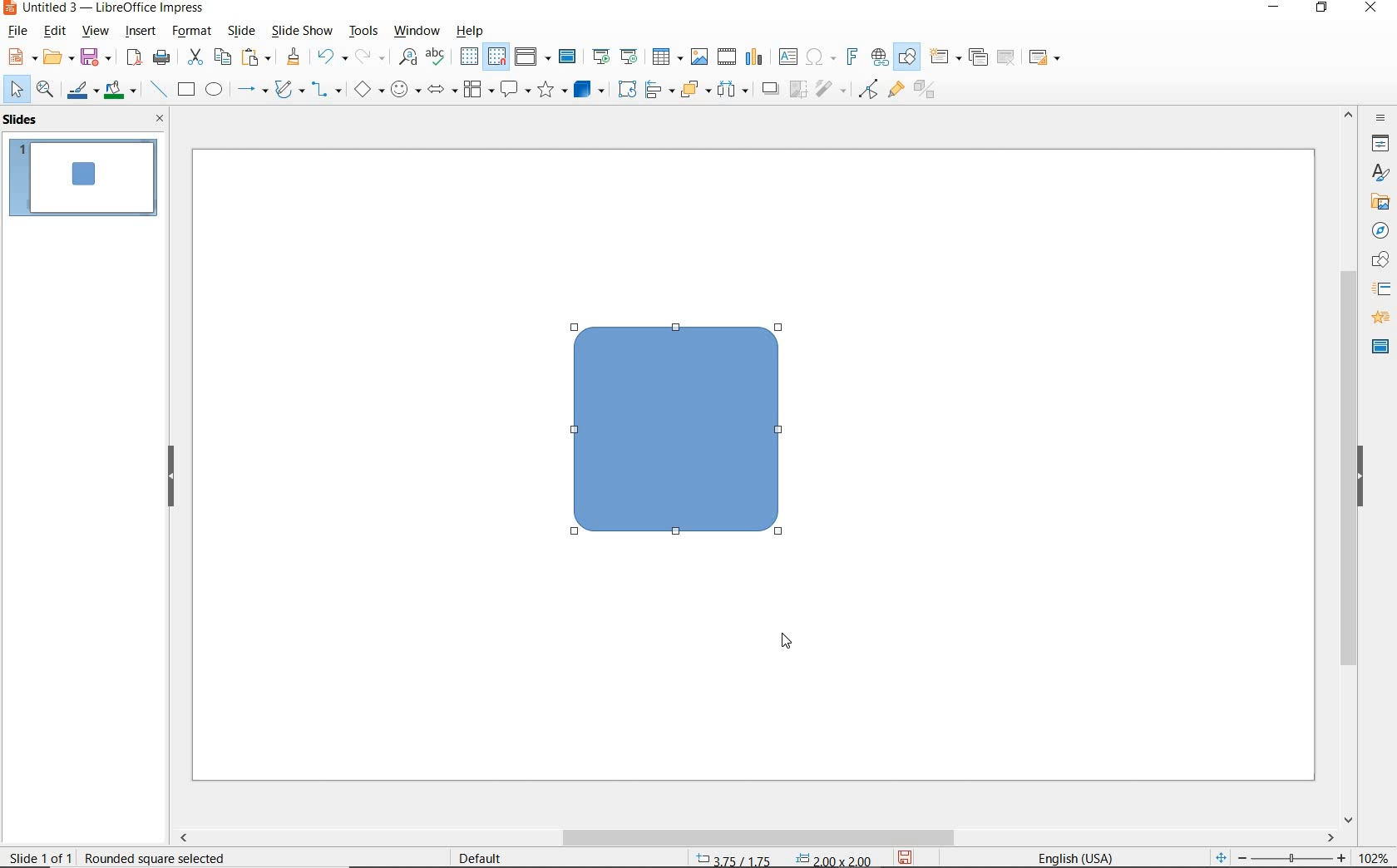 This screenshot has width=1397, height=868. Describe the element at coordinates (170, 476) in the screenshot. I see `hide` at that location.